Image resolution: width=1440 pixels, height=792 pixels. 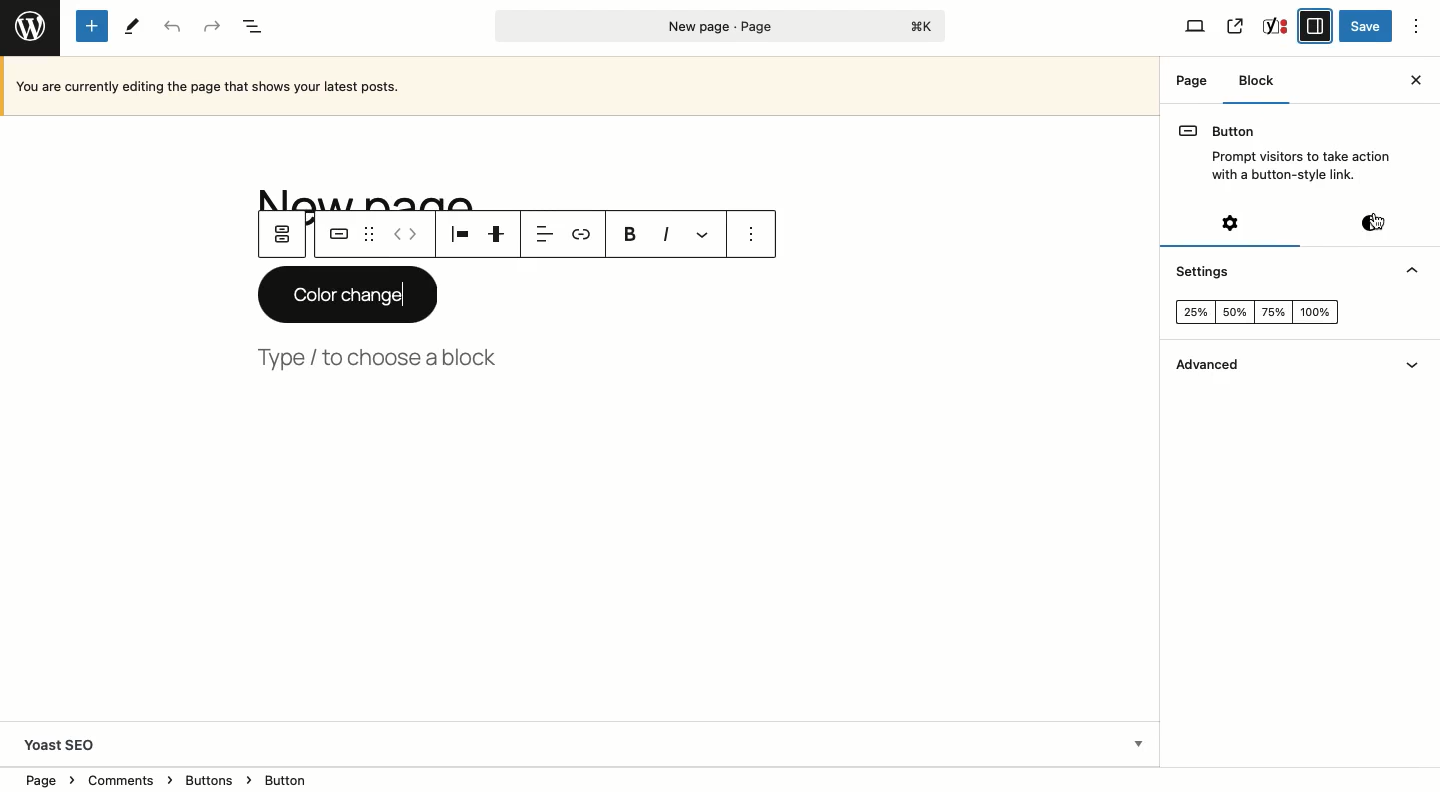 What do you see at coordinates (581, 234) in the screenshot?
I see `Link` at bounding box center [581, 234].